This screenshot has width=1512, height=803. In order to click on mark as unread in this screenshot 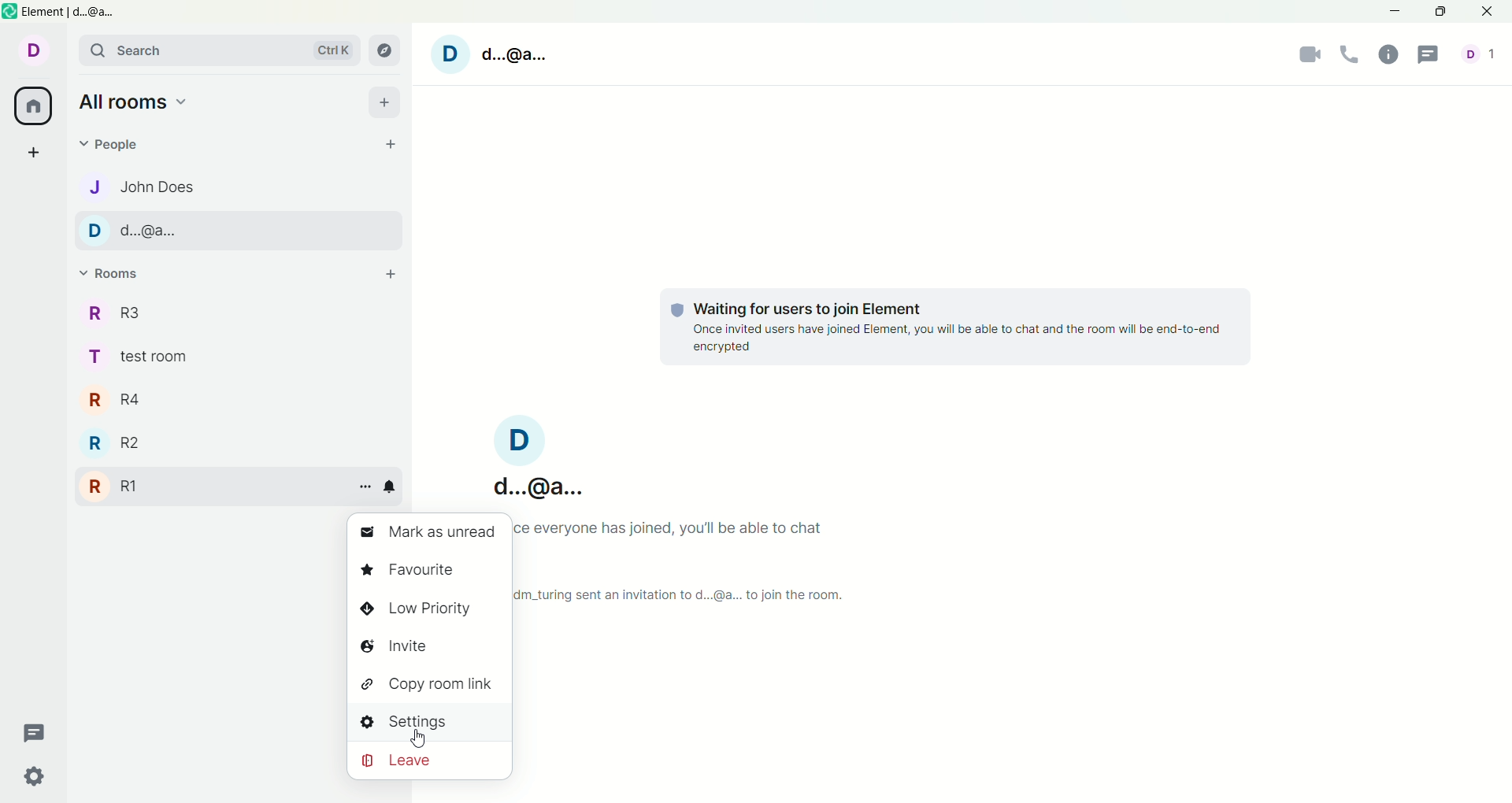, I will do `click(424, 533)`.